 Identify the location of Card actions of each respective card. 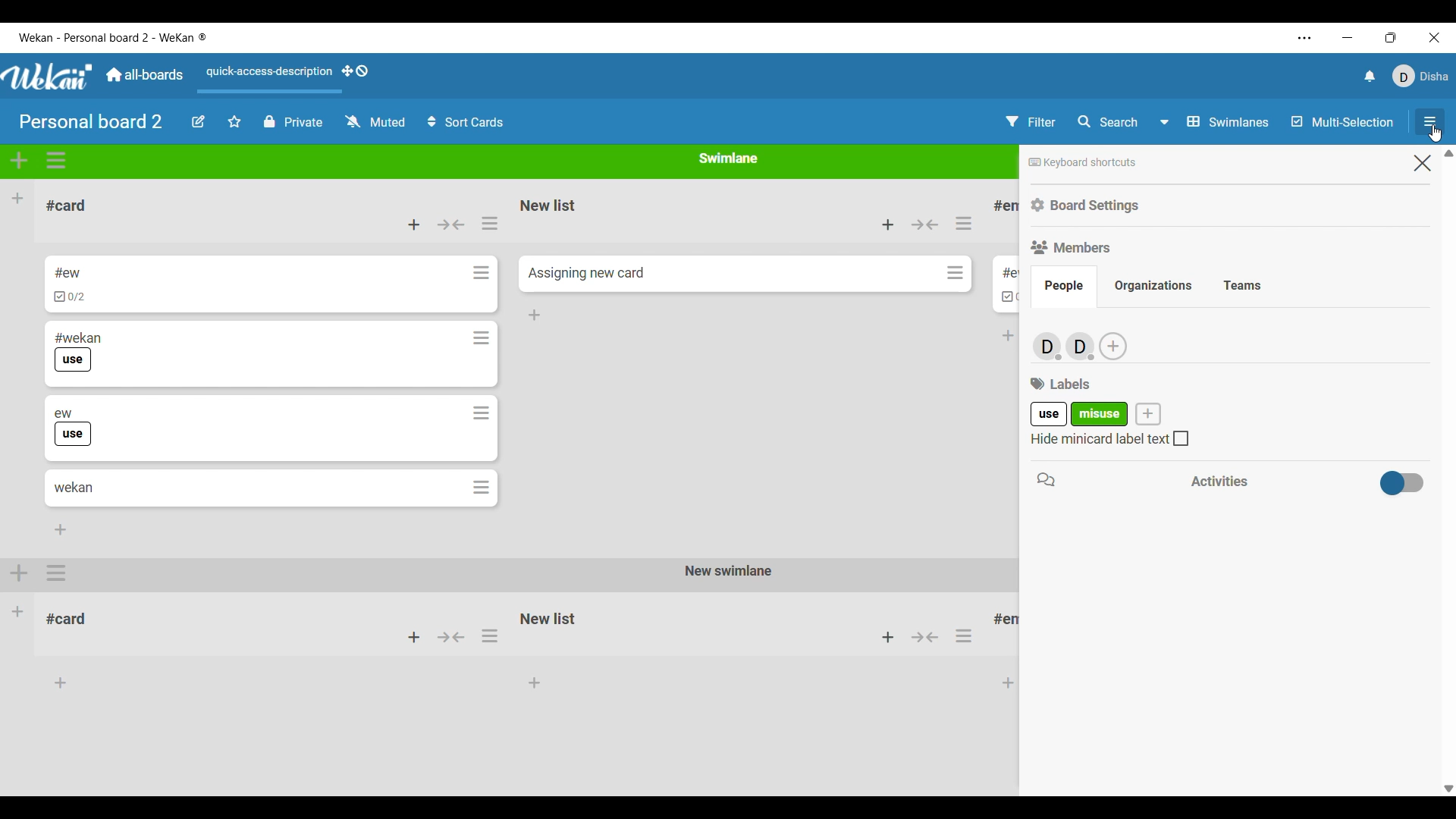
(482, 380).